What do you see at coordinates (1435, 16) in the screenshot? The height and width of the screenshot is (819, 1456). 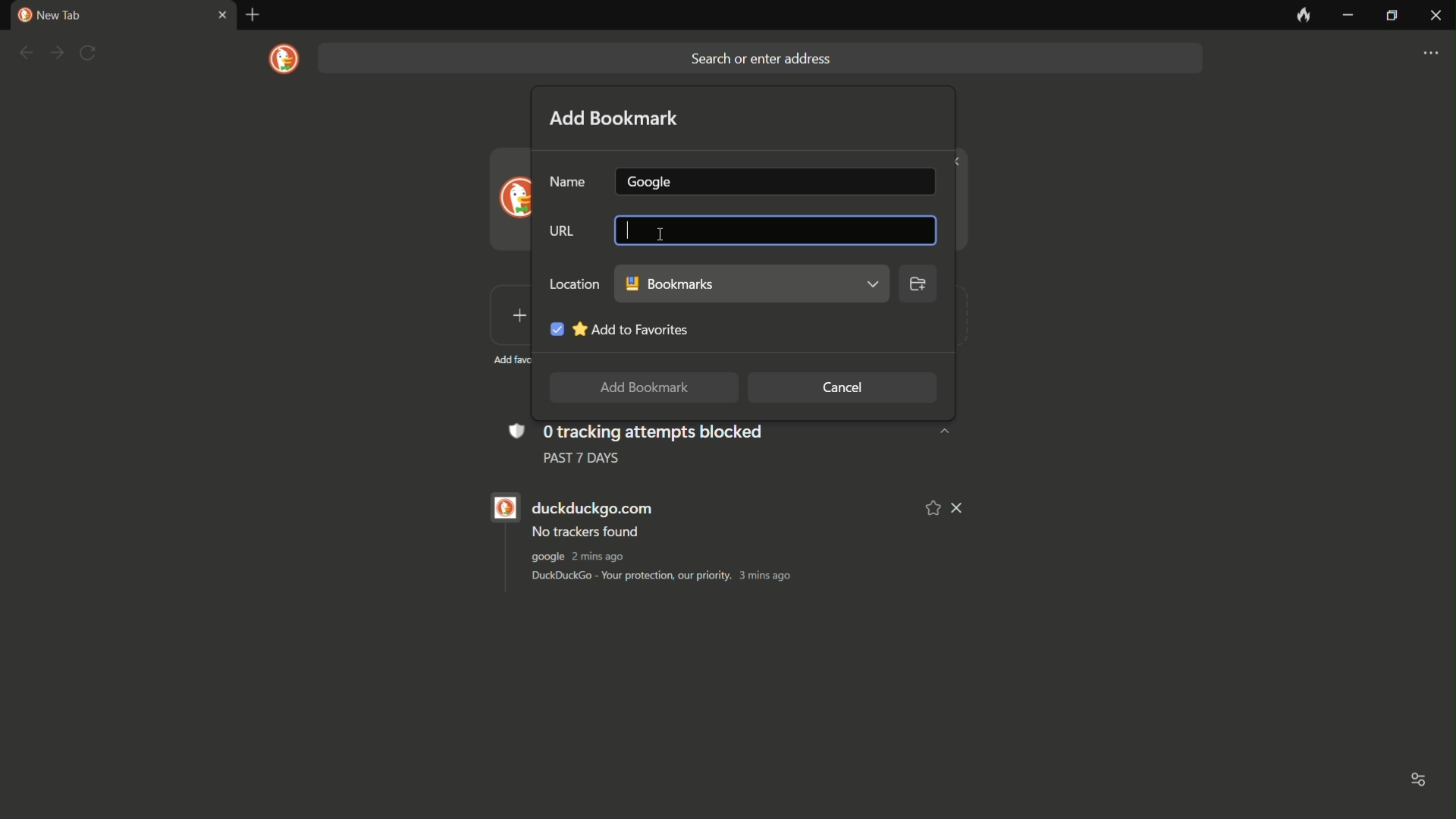 I see `close app` at bounding box center [1435, 16].